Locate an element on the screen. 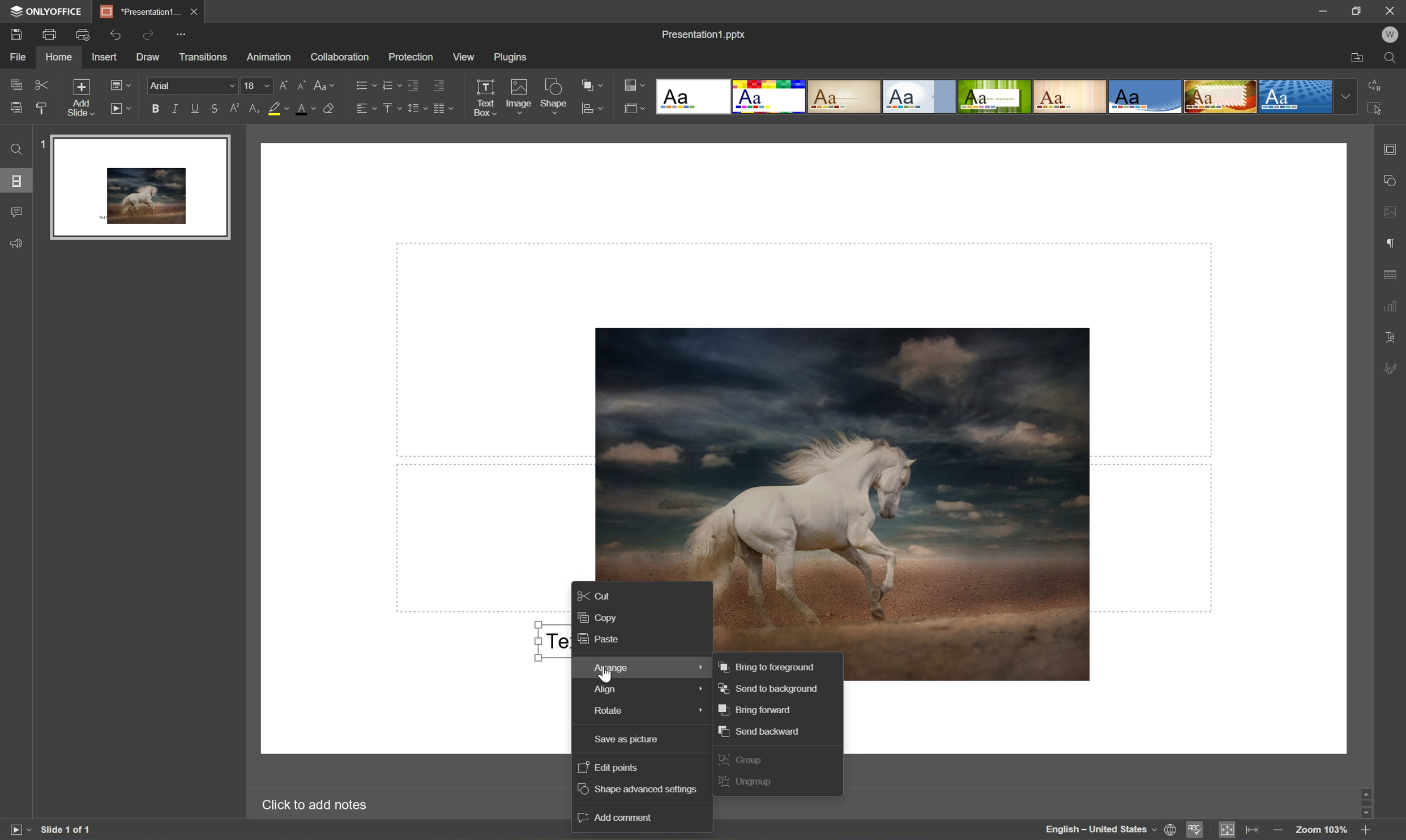 Image resolution: width=1406 pixels, height=840 pixels. Slide settings is located at coordinates (1394, 148).